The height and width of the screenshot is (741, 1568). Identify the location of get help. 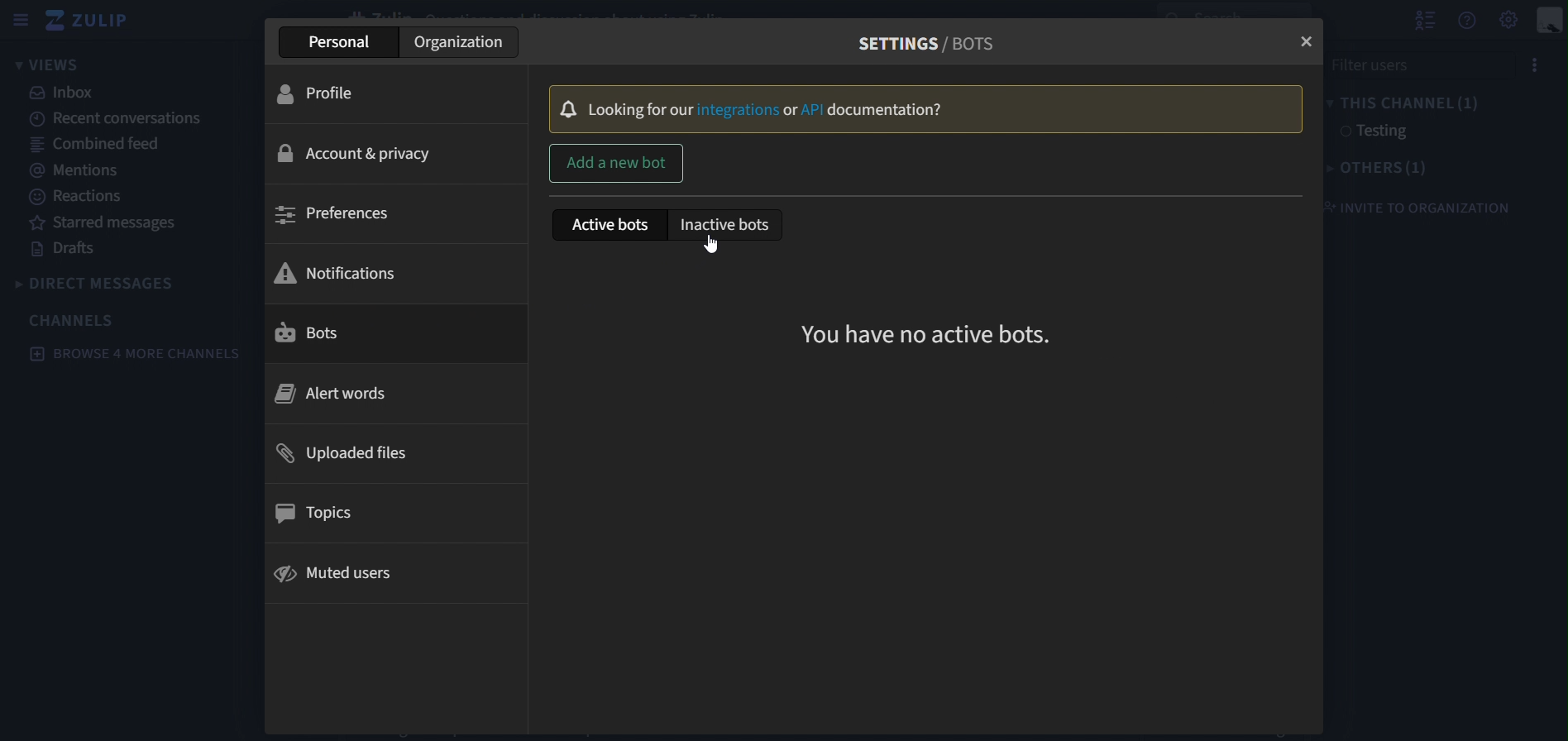
(1469, 21).